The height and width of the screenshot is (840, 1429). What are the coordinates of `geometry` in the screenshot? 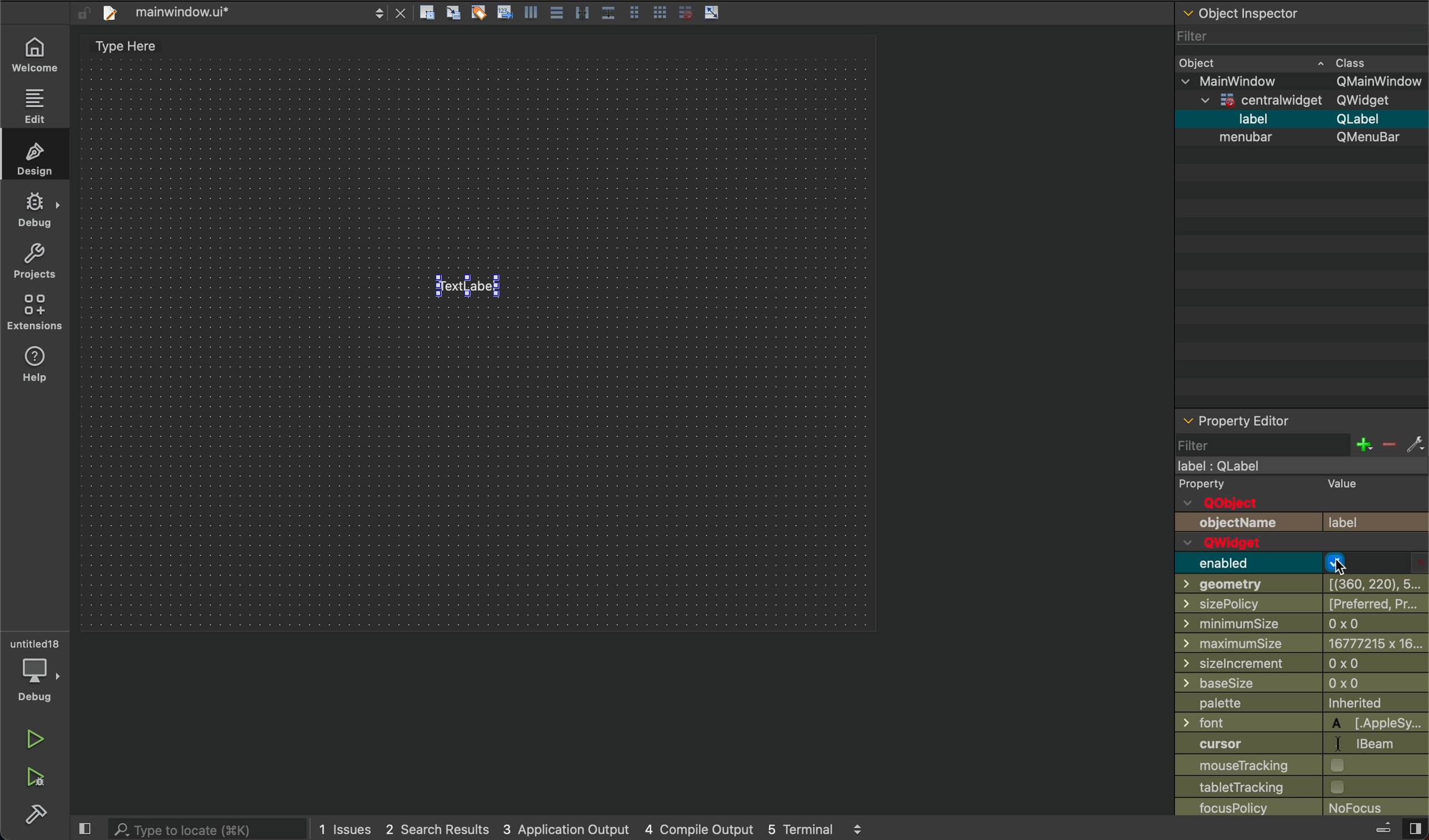 It's located at (1244, 583).